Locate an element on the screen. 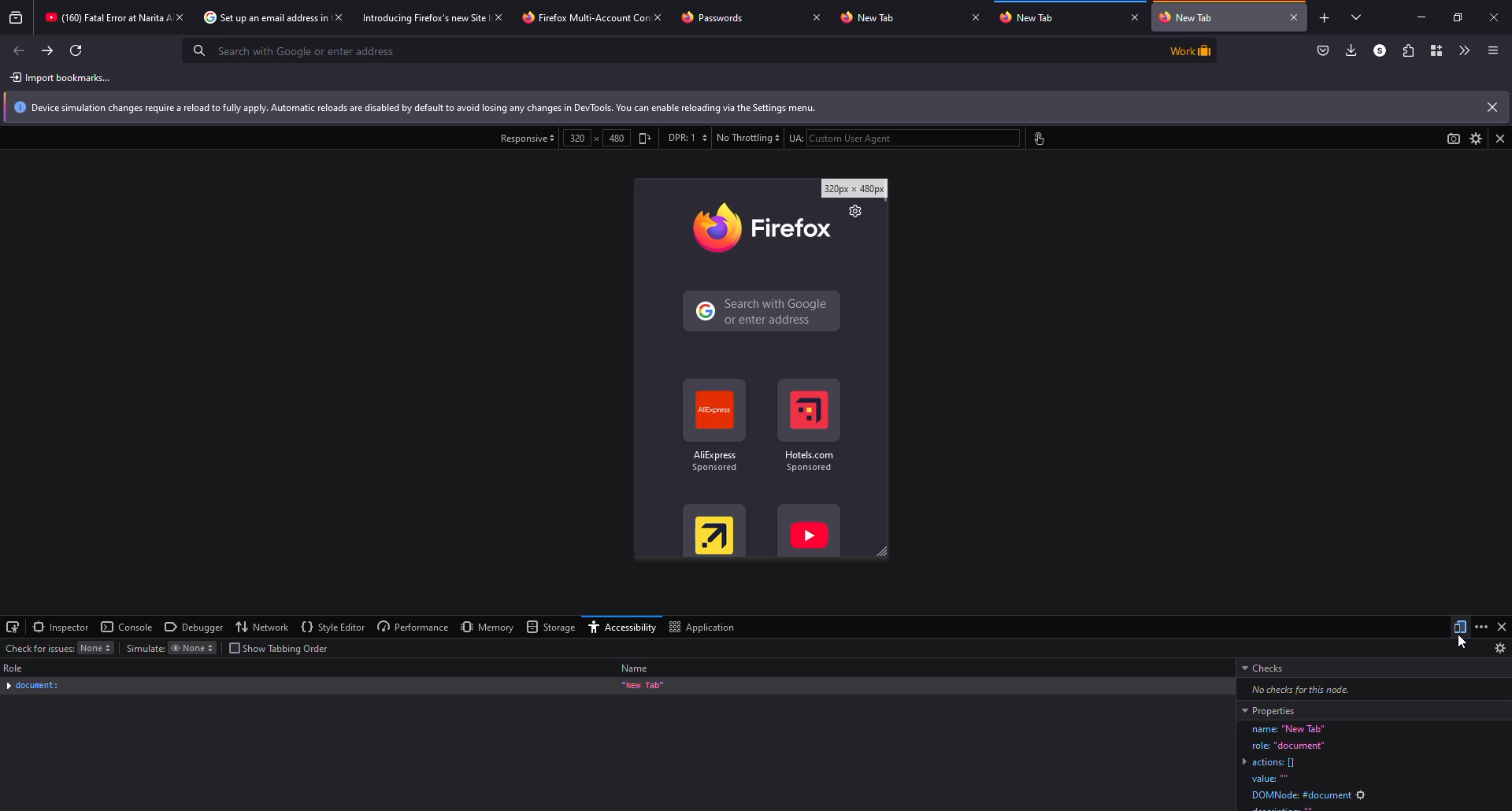  container is located at coordinates (1436, 50).